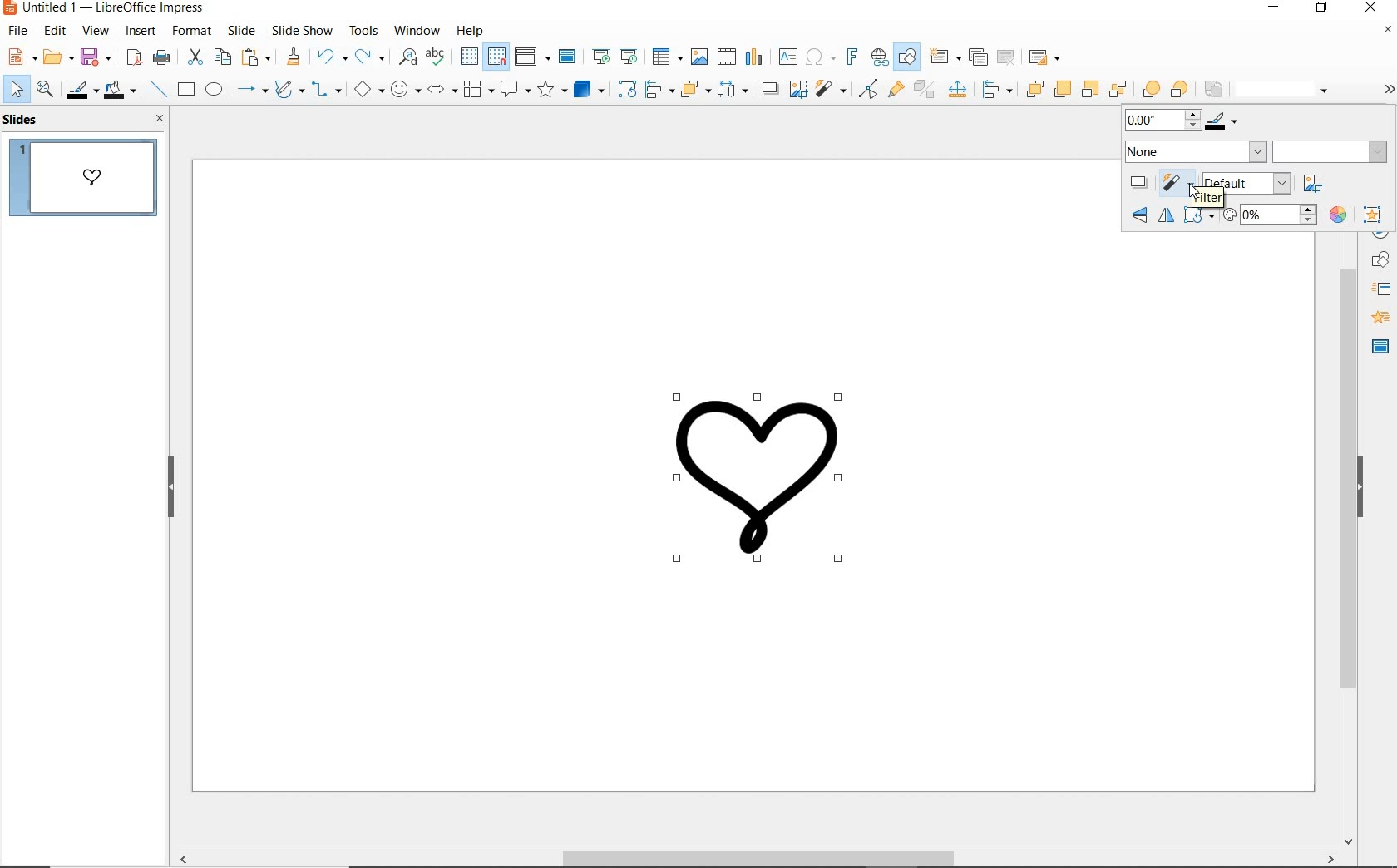  What do you see at coordinates (254, 58) in the screenshot?
I see `paste` at bounding box center [254, 58].